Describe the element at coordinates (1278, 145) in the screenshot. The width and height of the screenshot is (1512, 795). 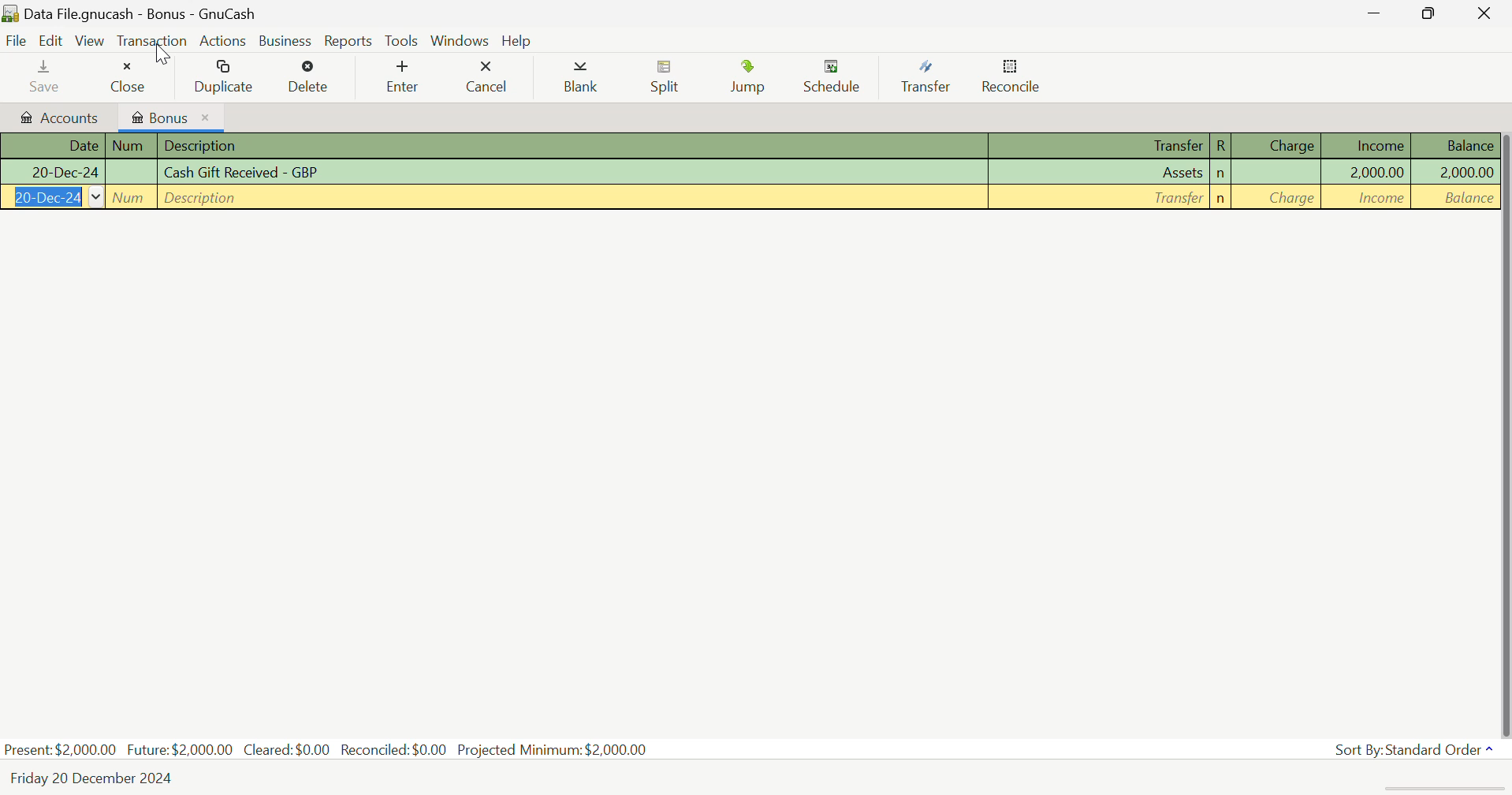
I see `Charge` at that location.